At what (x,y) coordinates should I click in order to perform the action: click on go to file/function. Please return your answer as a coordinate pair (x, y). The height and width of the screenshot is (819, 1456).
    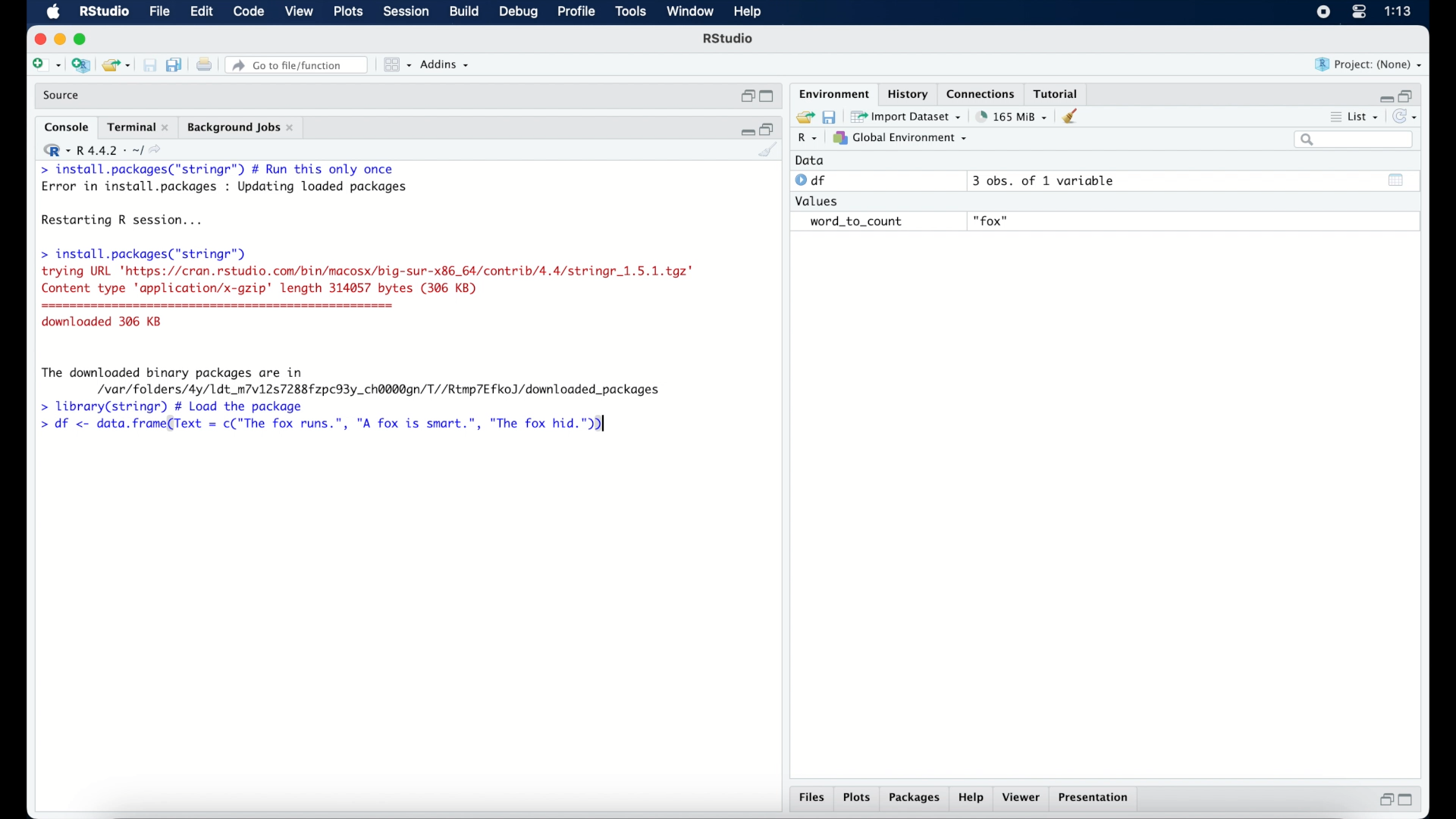
    Looking at the image, I should click on (300, 65).